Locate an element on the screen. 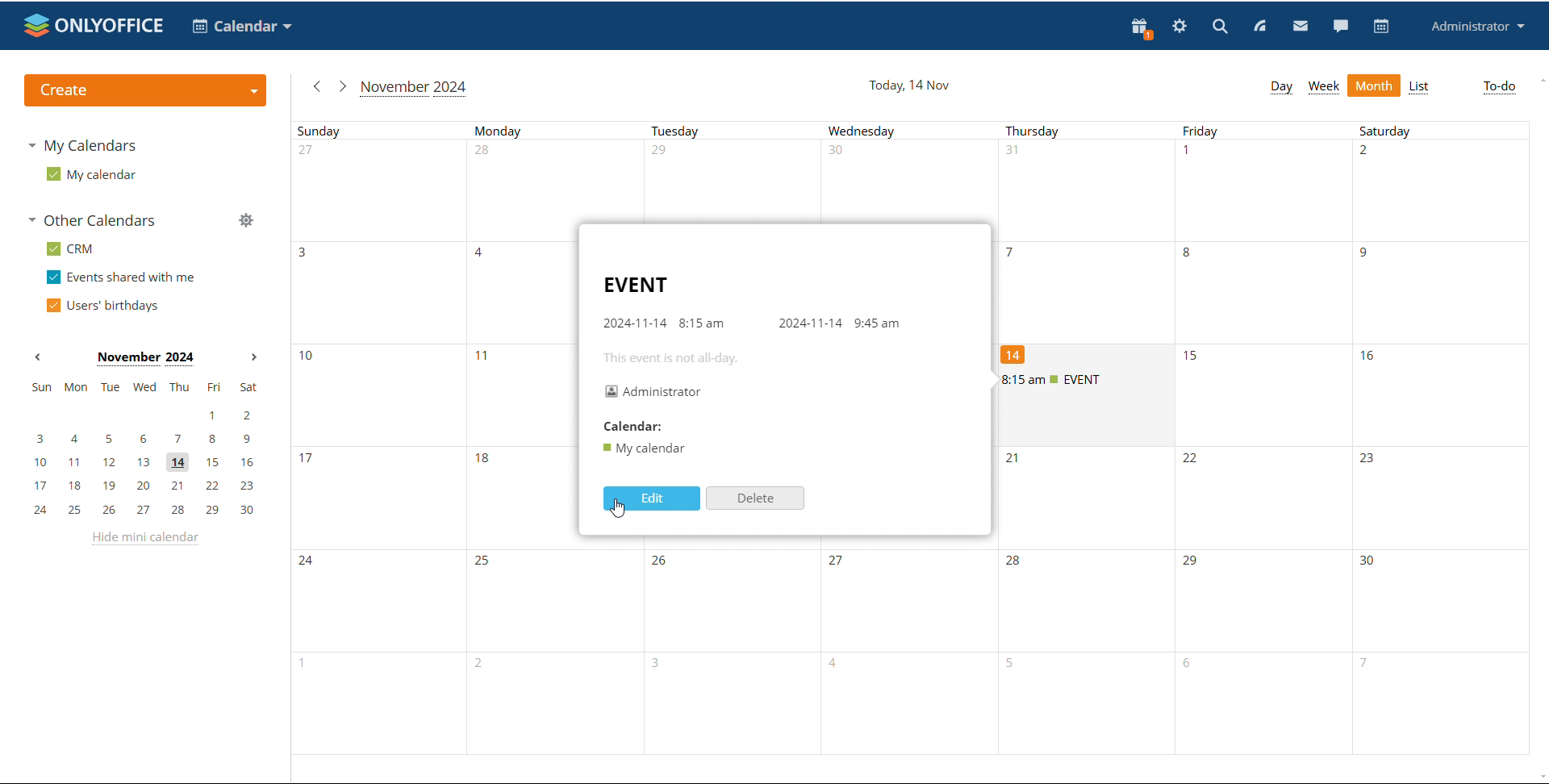 The height and width of the screenshot is (784, 1549). list view is located at coordinates (1421, 87).